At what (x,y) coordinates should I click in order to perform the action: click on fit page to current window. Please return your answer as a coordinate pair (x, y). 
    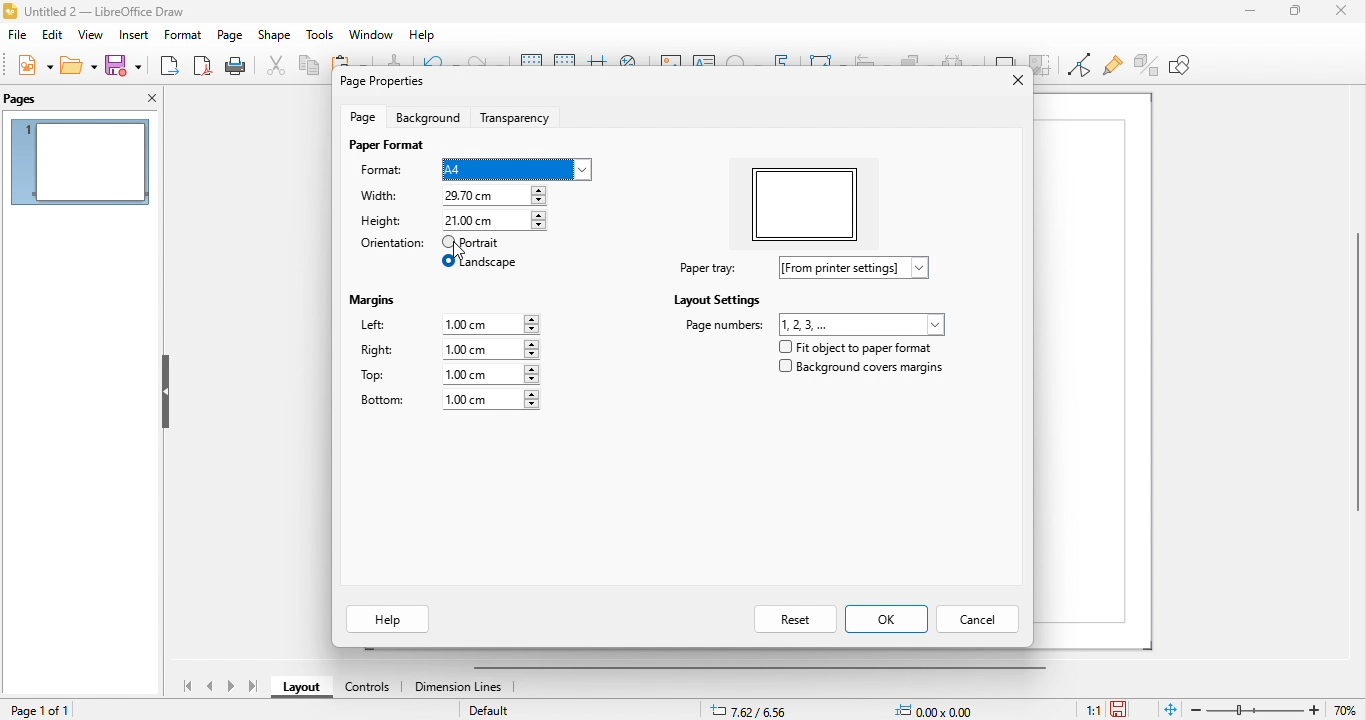
    Looking at the image, I should click on (1172, 709).